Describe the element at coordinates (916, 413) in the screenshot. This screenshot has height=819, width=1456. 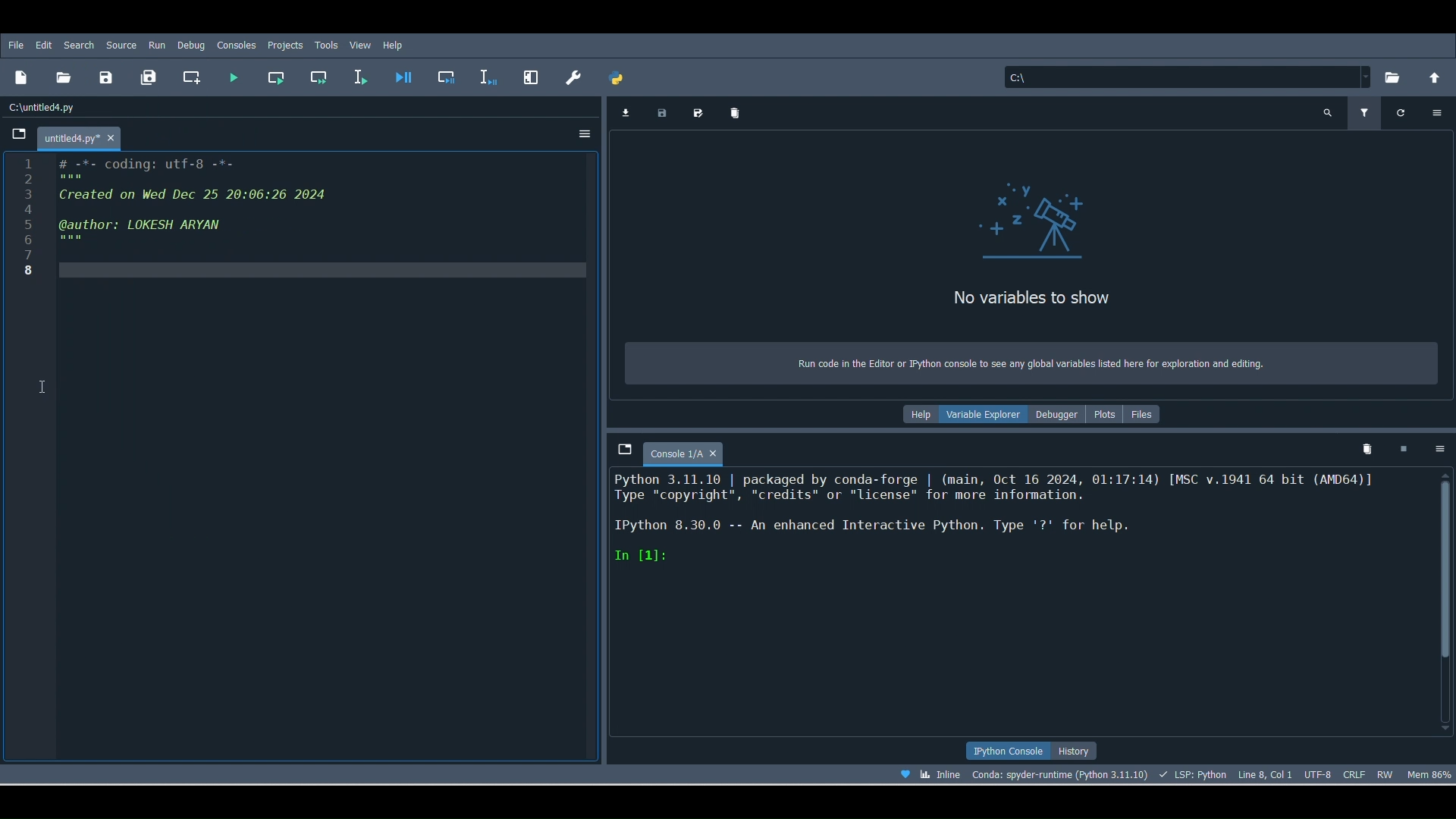
I see `Help` at that location.